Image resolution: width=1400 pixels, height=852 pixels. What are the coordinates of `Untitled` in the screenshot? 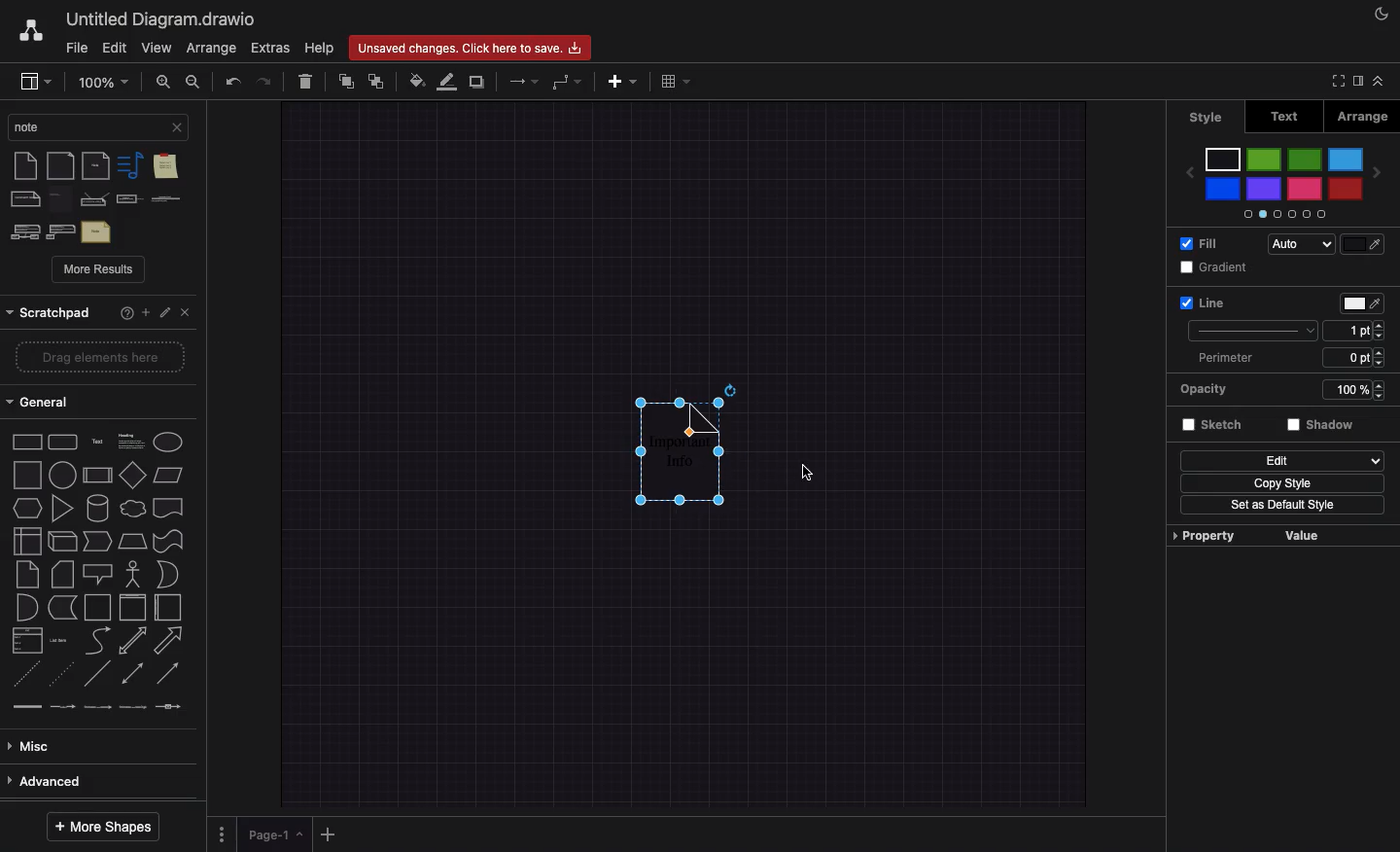 It's located at (163, 18).